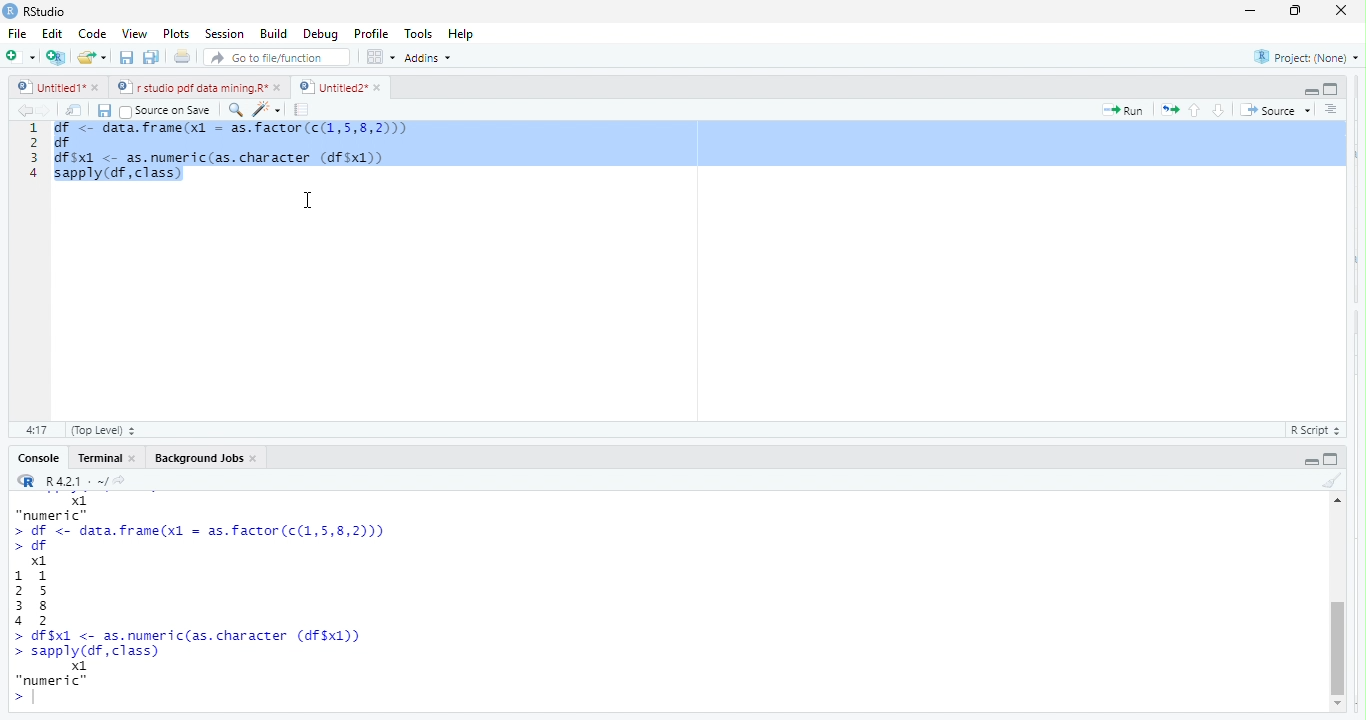  Describe the element at coordinates (27, 481) in the screenshot. I see `r studio logo` at that location.